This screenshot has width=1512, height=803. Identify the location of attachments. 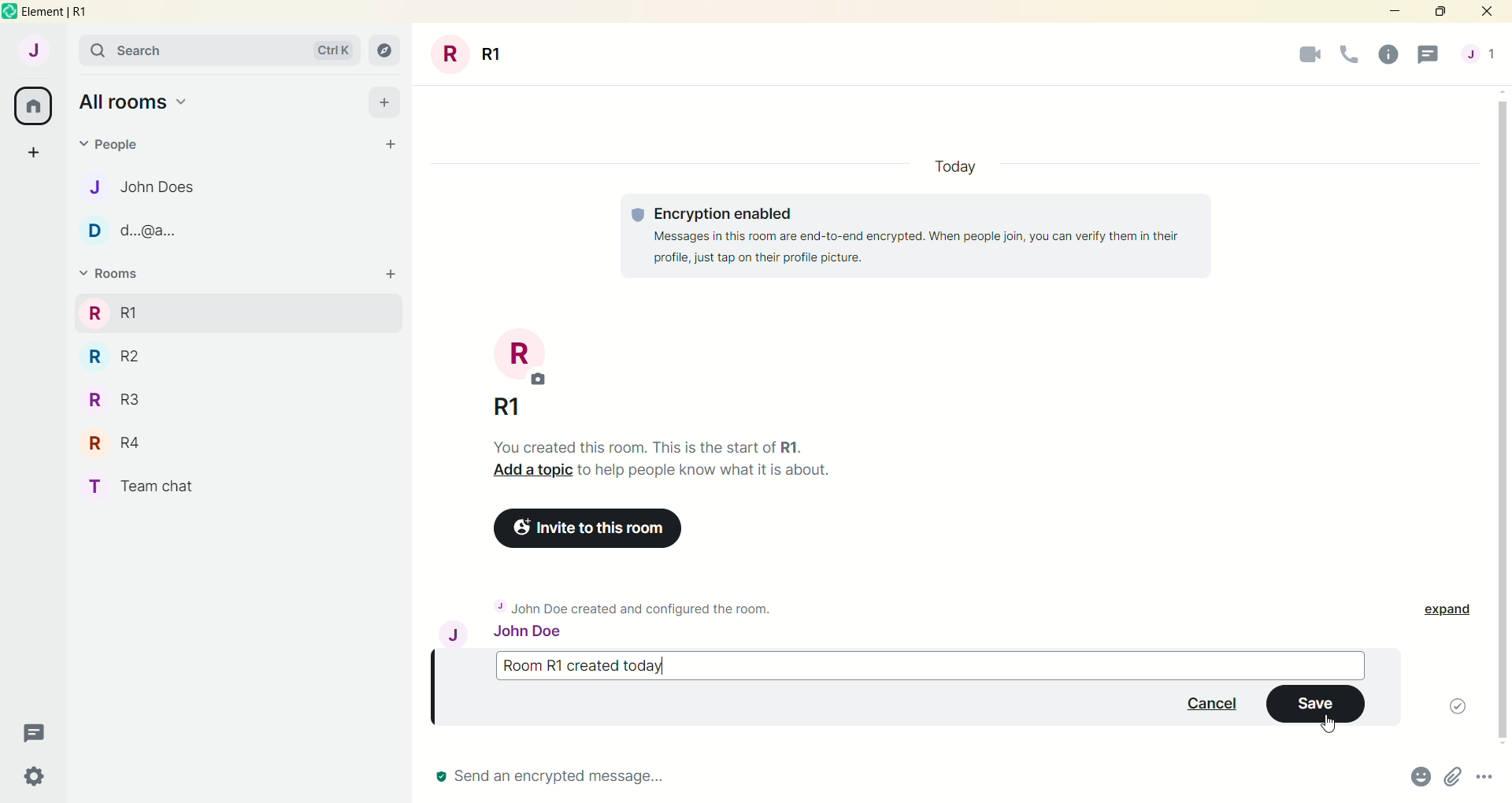
(1453, 779).